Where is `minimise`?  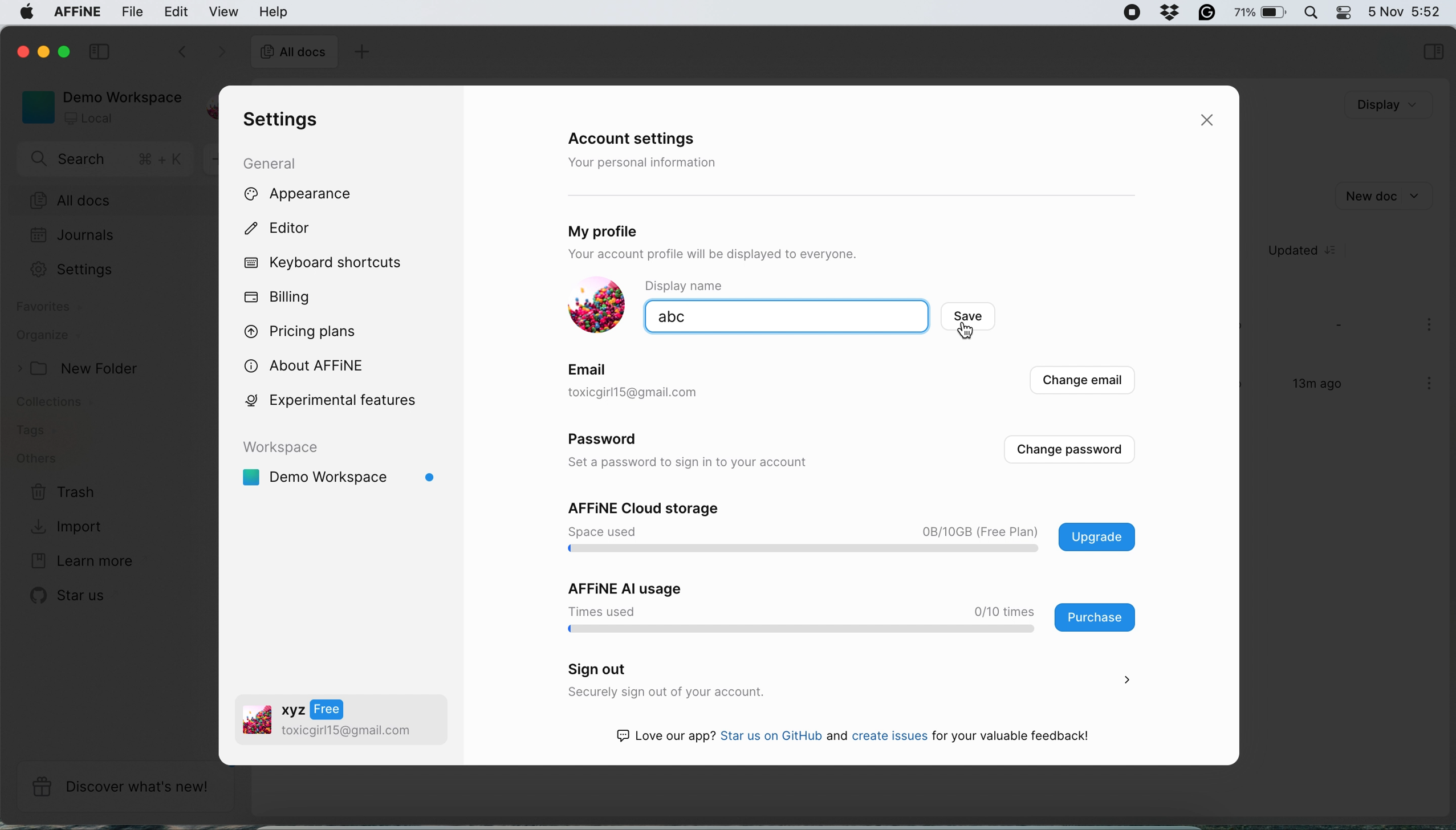 minimise is located at coordinates (46, 54).